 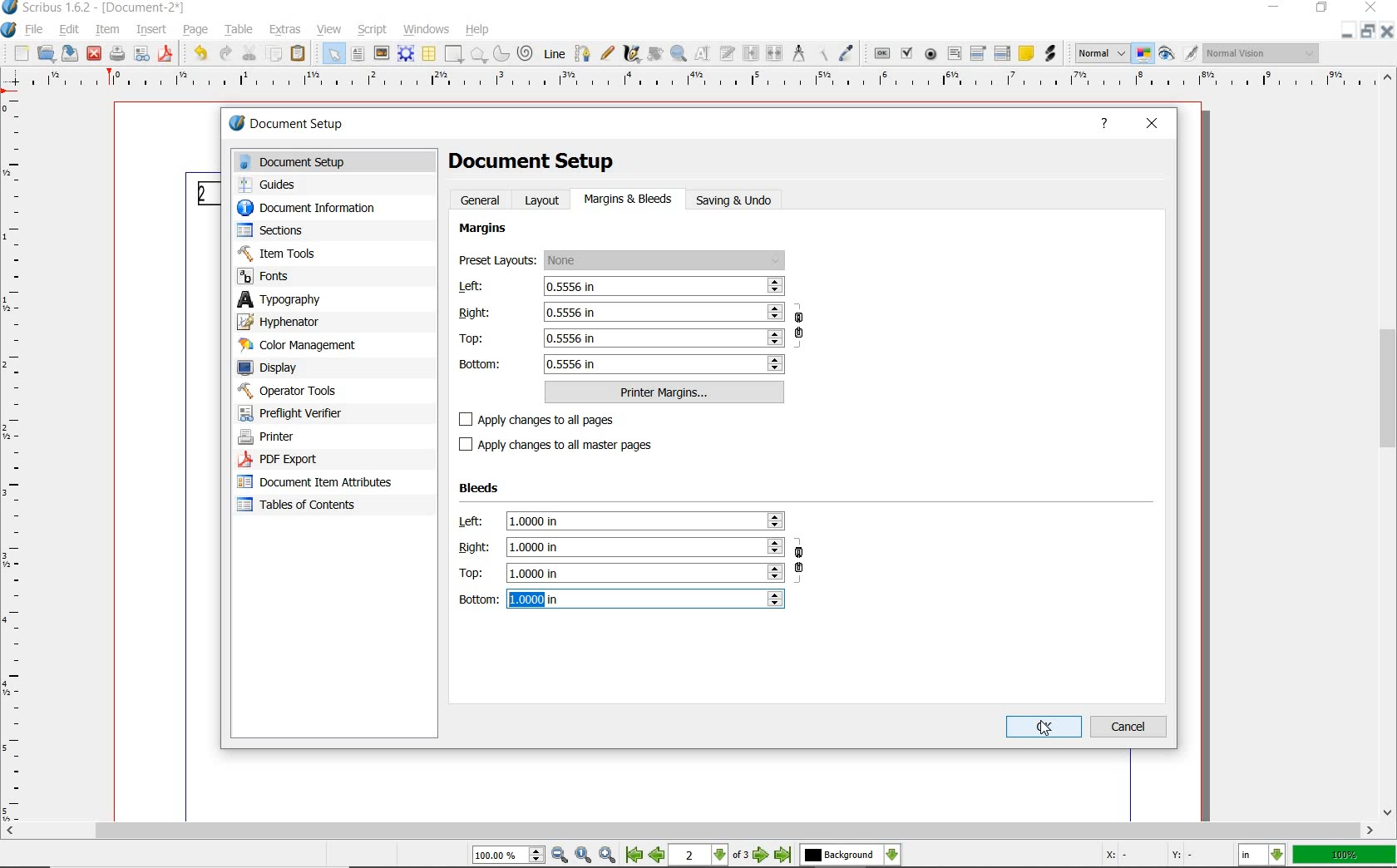 I want to click on arc, so click(x=501, y=55).